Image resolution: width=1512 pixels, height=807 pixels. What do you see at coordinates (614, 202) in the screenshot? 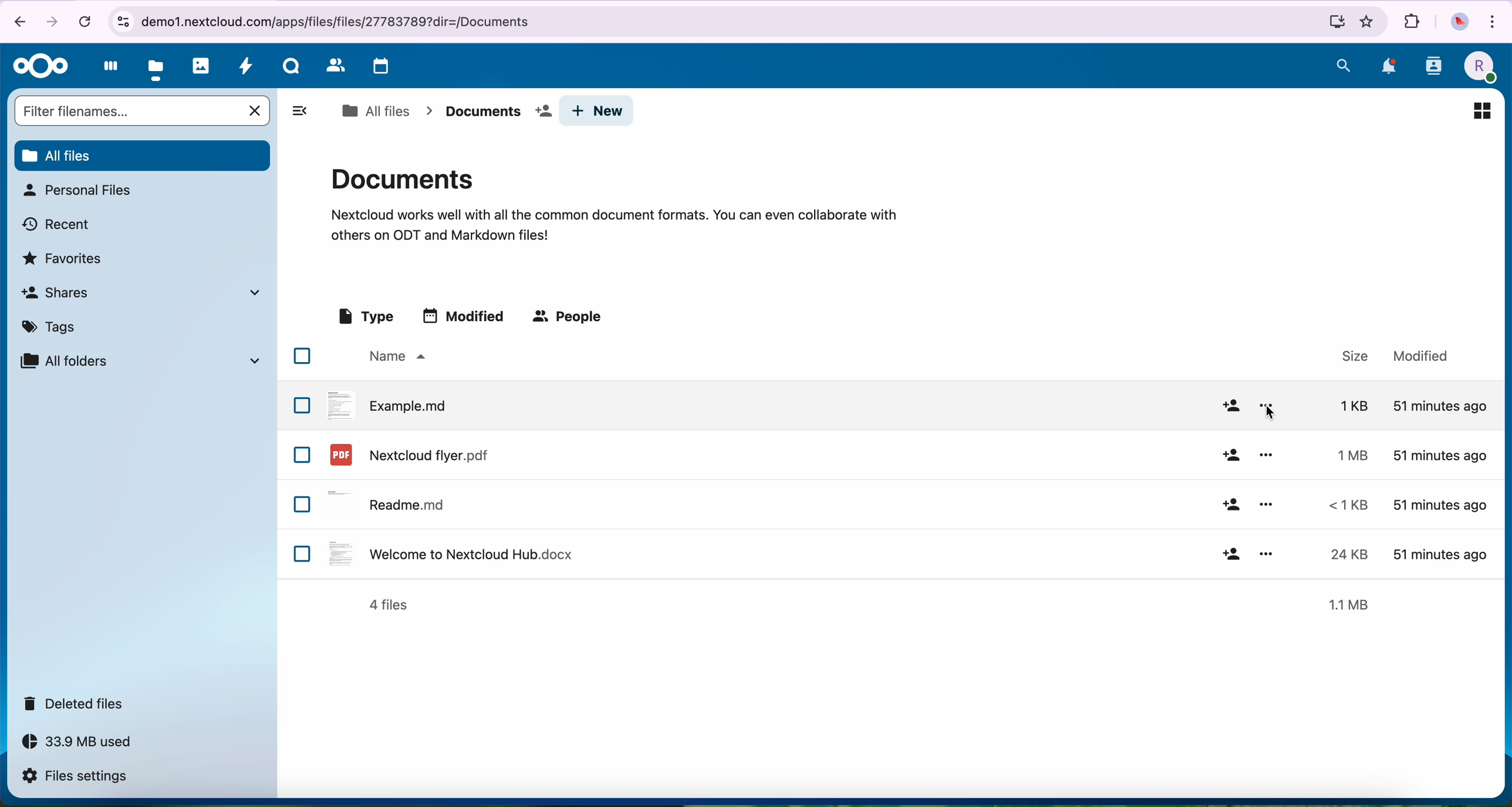
I see `documents` at bounding box center [614, 202].